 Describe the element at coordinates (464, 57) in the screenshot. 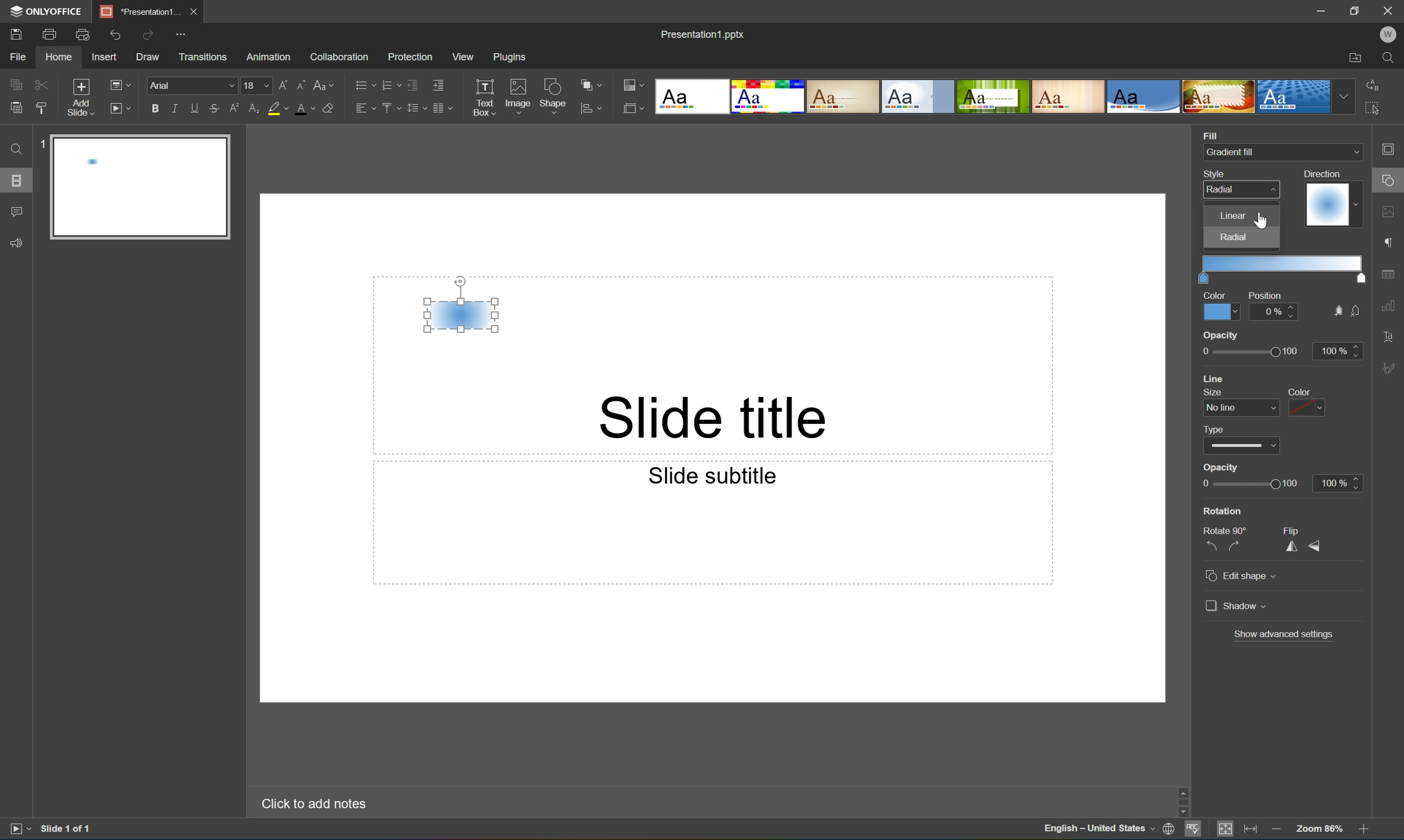

I see `View` at that location.